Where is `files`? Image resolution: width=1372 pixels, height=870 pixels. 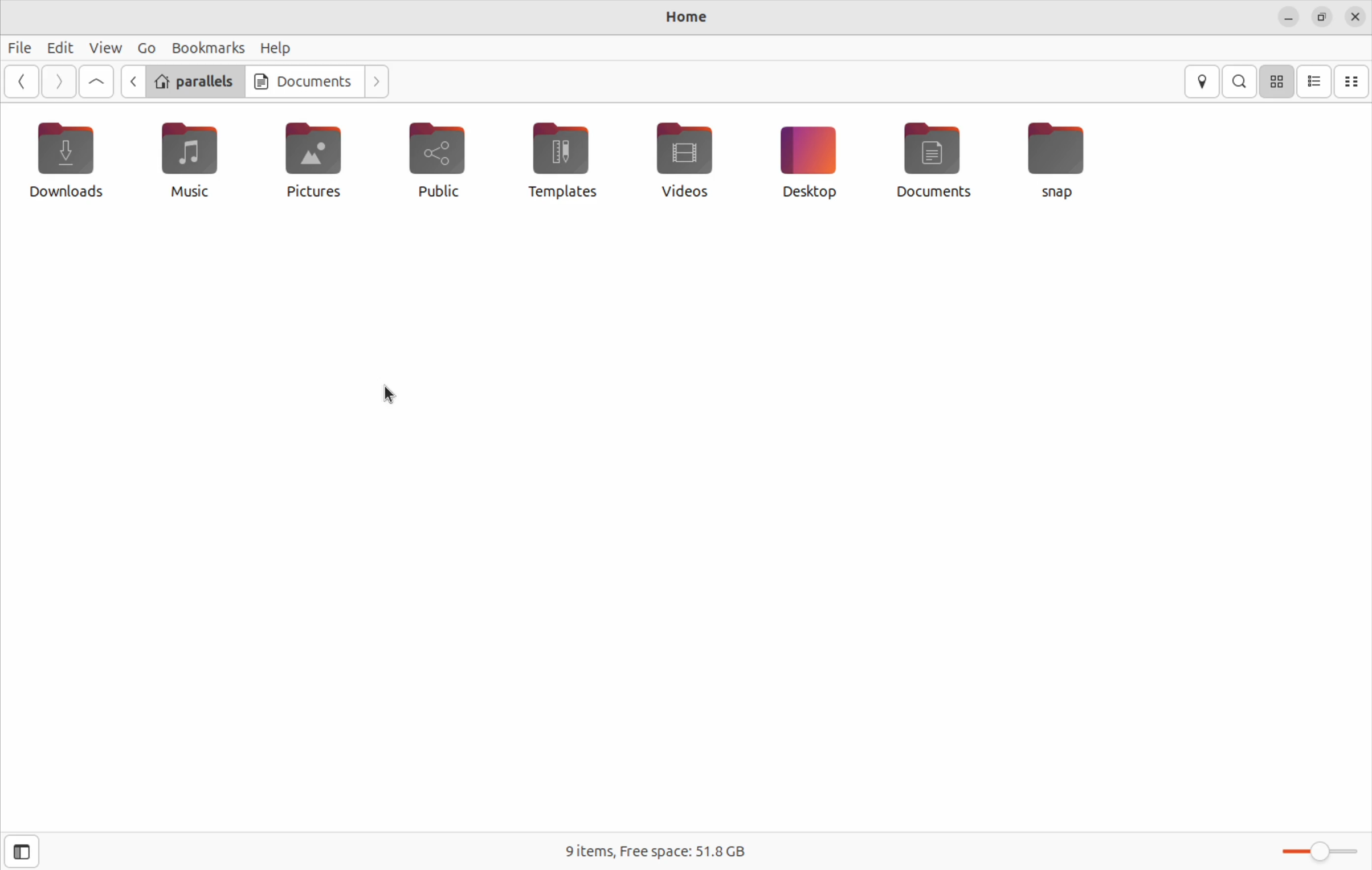
files is located at coordinates (22, 47).